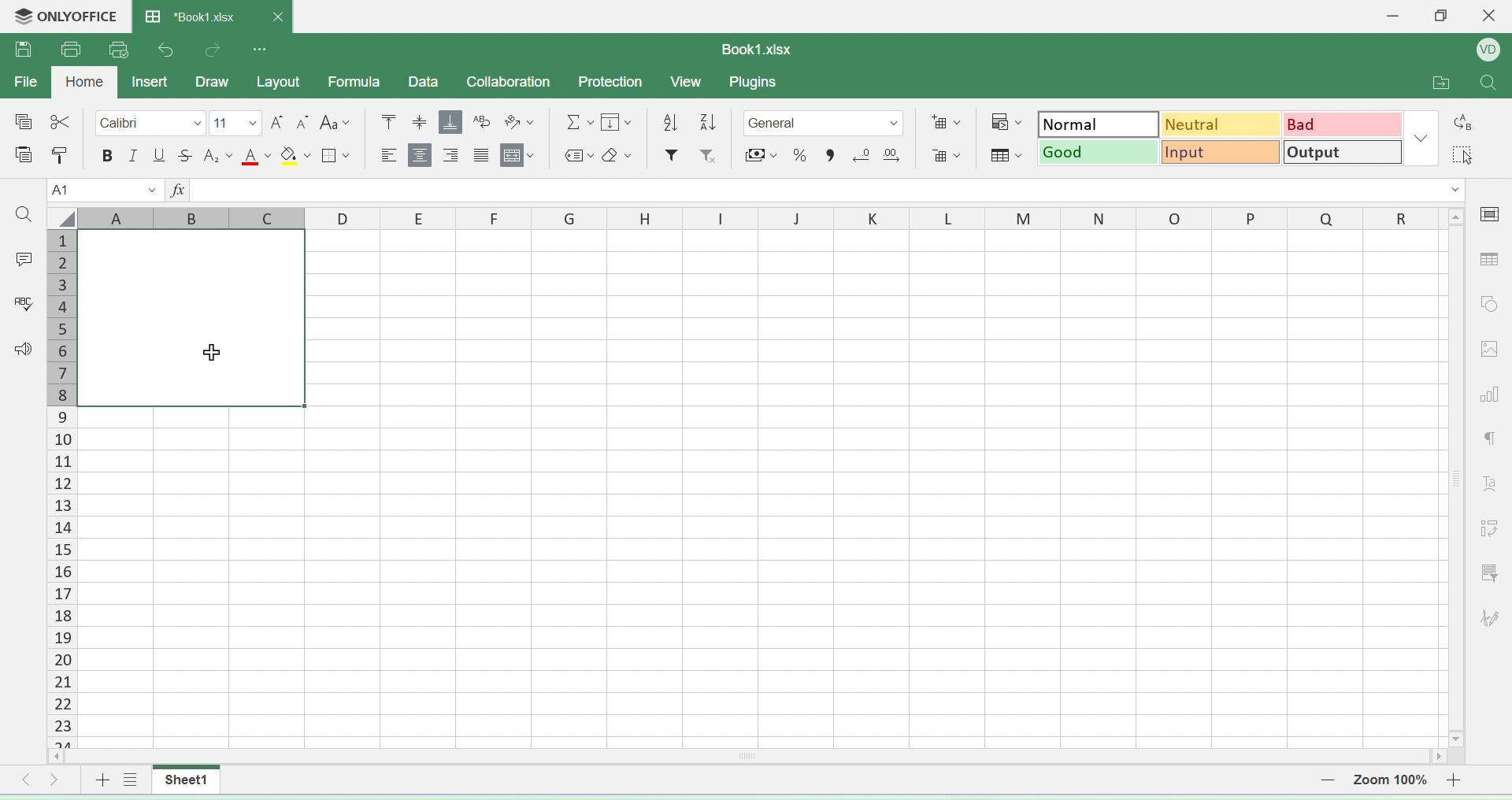  What do you see at coordinates (212, 350) in the screenshot?
I see `cursor on merged cells` at bounding box center [212, 350].